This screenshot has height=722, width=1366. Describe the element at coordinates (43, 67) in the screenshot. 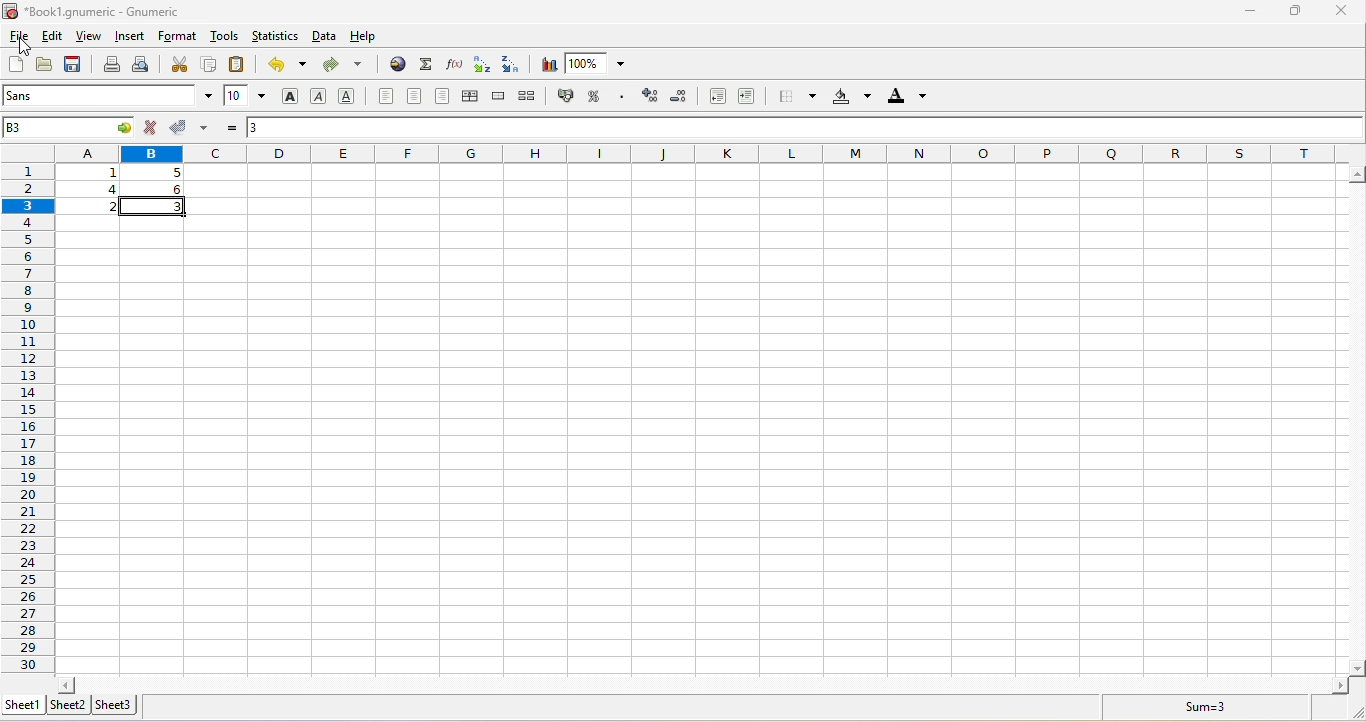

I see `open a file` at that location.